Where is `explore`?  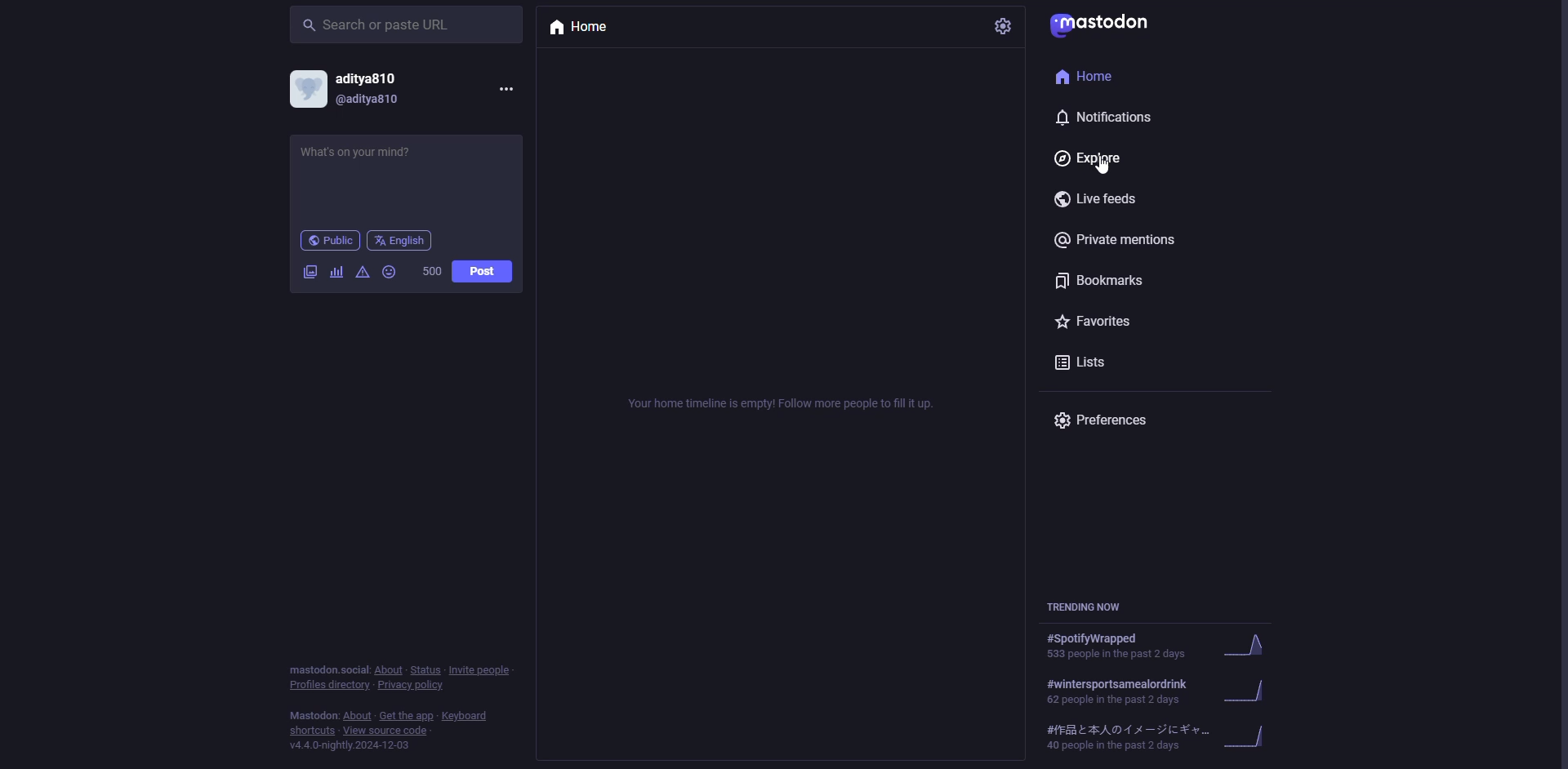
explore is located at coordinates (1094, 159).